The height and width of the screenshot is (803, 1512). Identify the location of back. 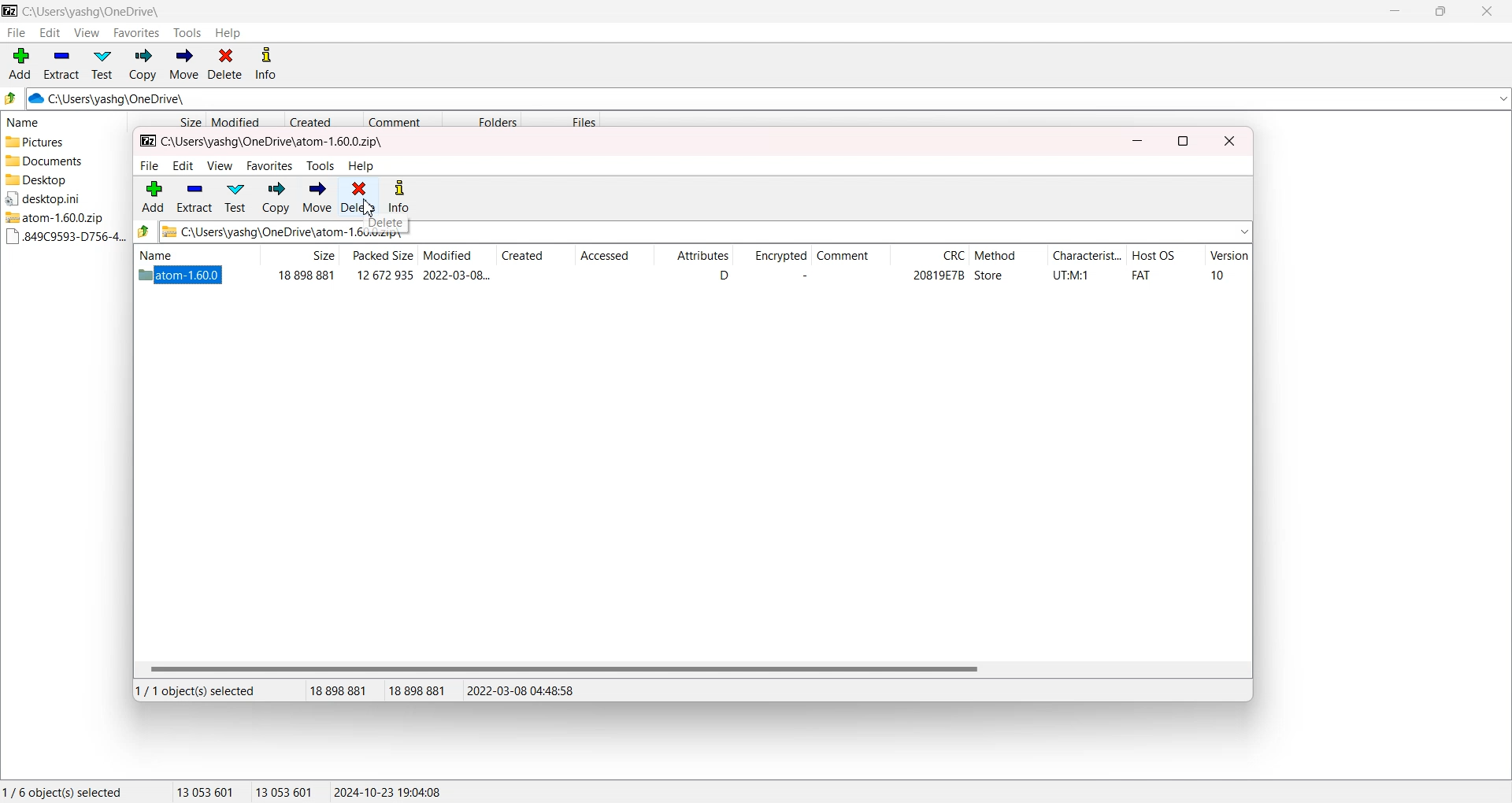
(144, 231).